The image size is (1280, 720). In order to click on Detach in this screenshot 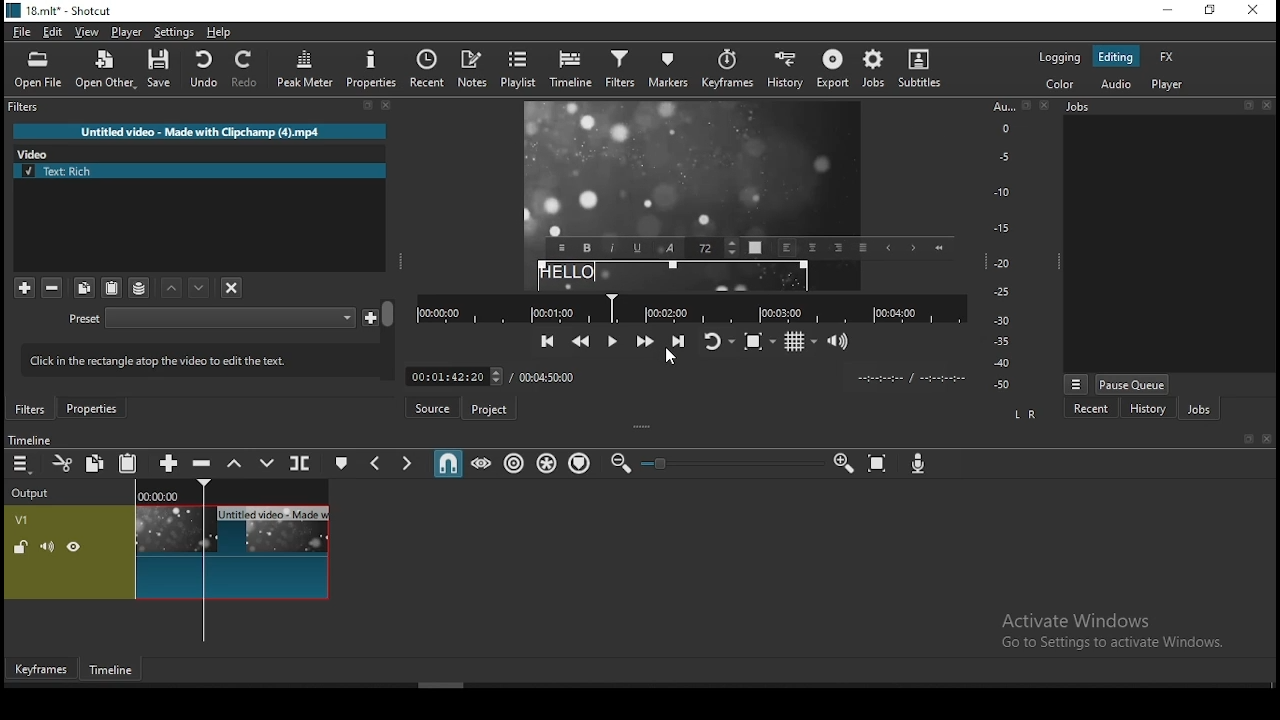, I will do `click(368, 106)`.